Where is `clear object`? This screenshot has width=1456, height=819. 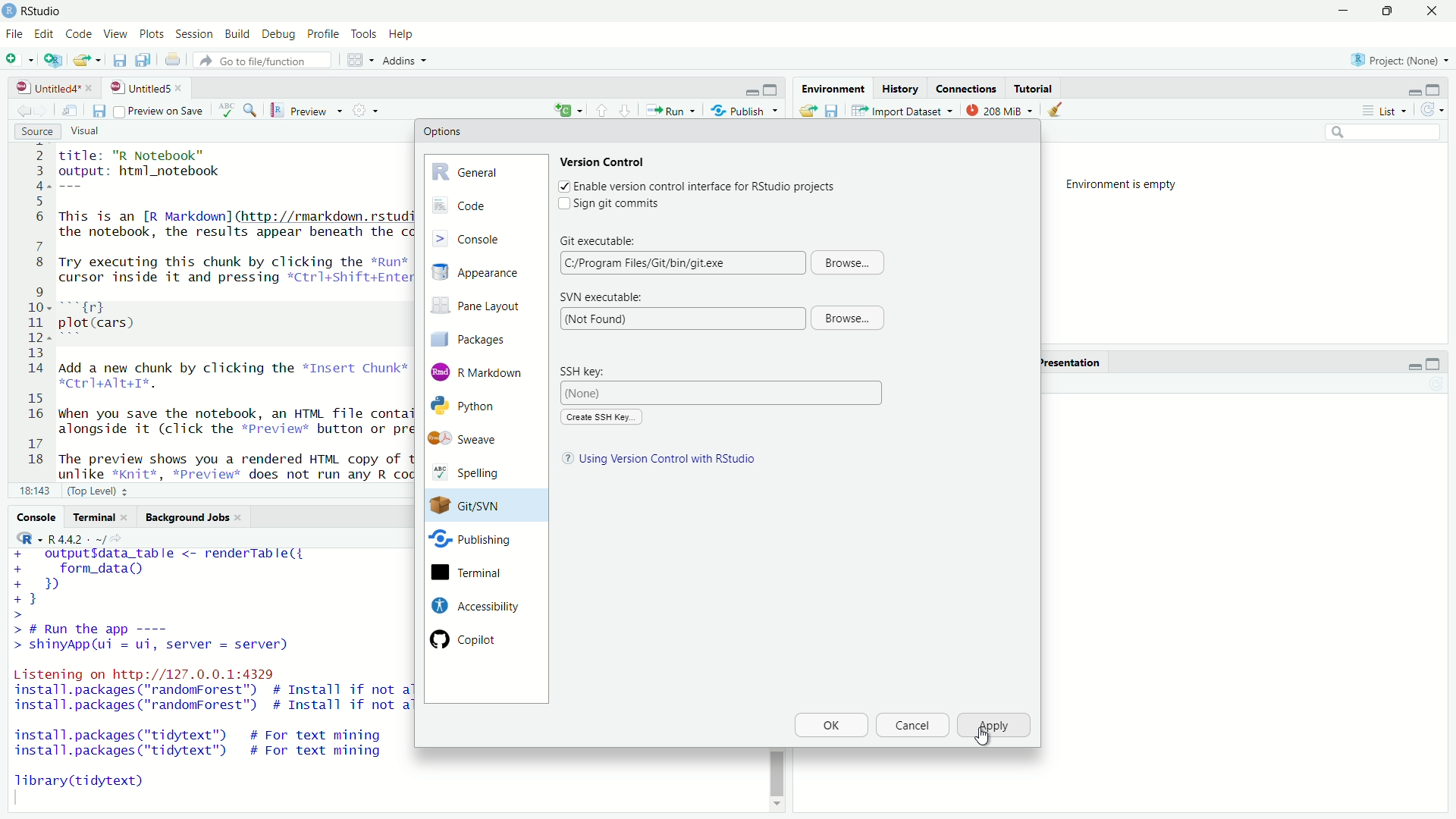 clear object is located at coordinates (1053, 110).